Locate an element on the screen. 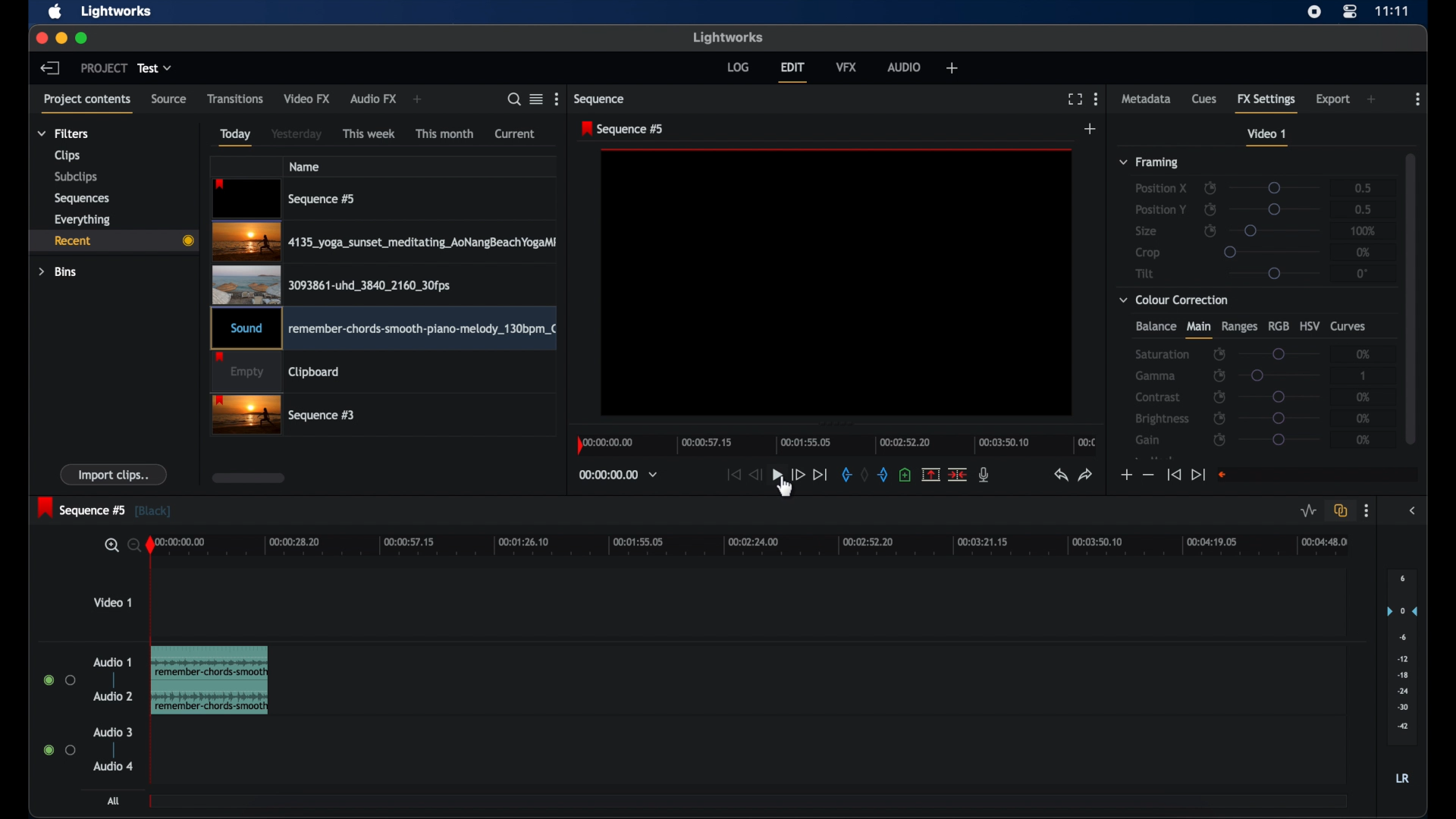 Image resolution: width=1456 pixels, height=819 pixels. clear marks is located at coordinates (864, 475).